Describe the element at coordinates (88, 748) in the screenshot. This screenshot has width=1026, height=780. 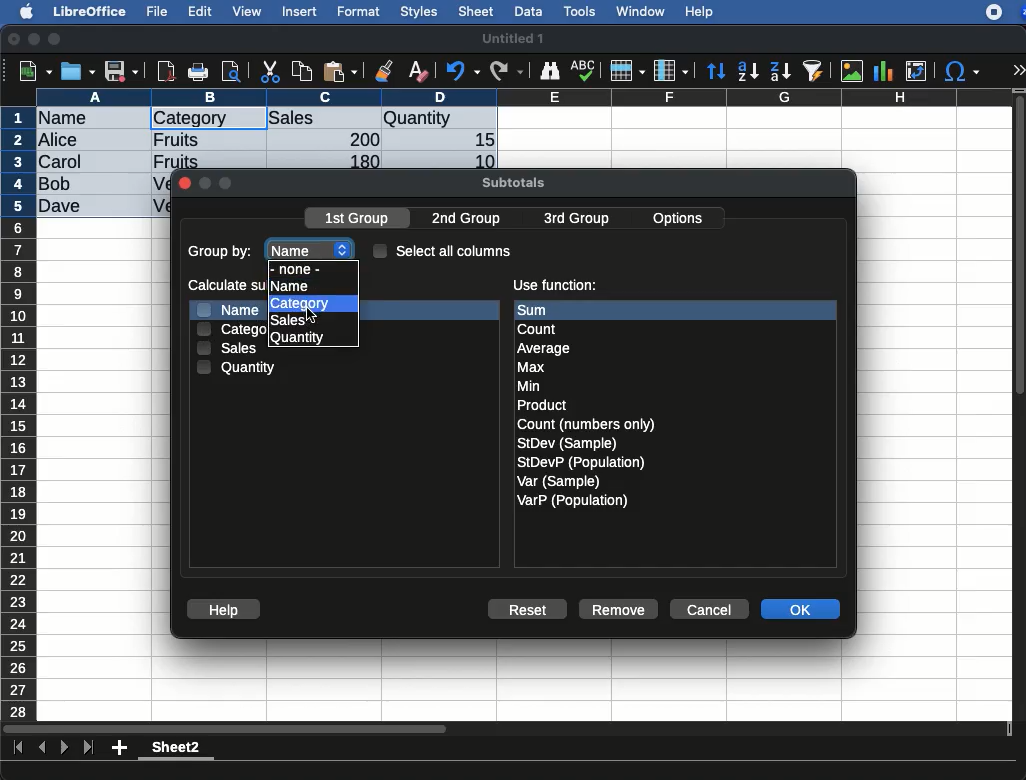
I see `last sheet` at that location.